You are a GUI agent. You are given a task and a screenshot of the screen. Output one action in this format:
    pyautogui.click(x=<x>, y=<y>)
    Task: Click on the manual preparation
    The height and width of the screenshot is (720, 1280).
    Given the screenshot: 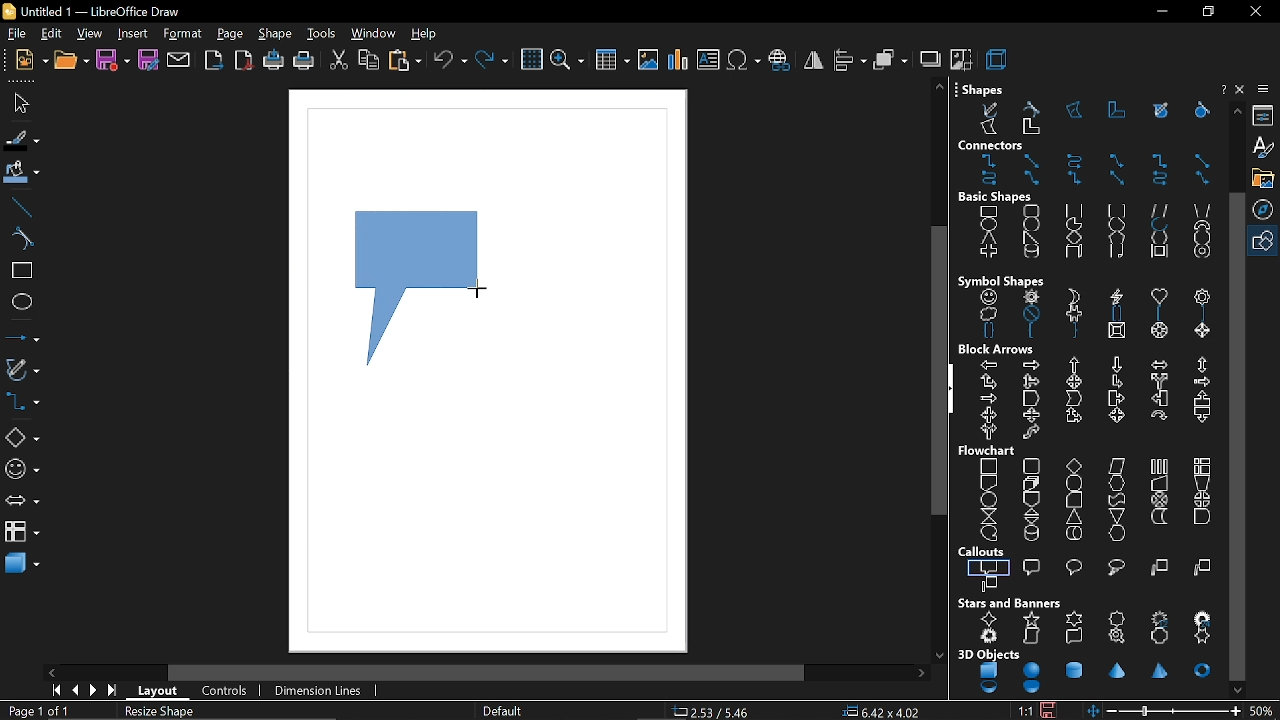 What is the action you would take?
    pyautogui.click(x=1202, y=482)
    